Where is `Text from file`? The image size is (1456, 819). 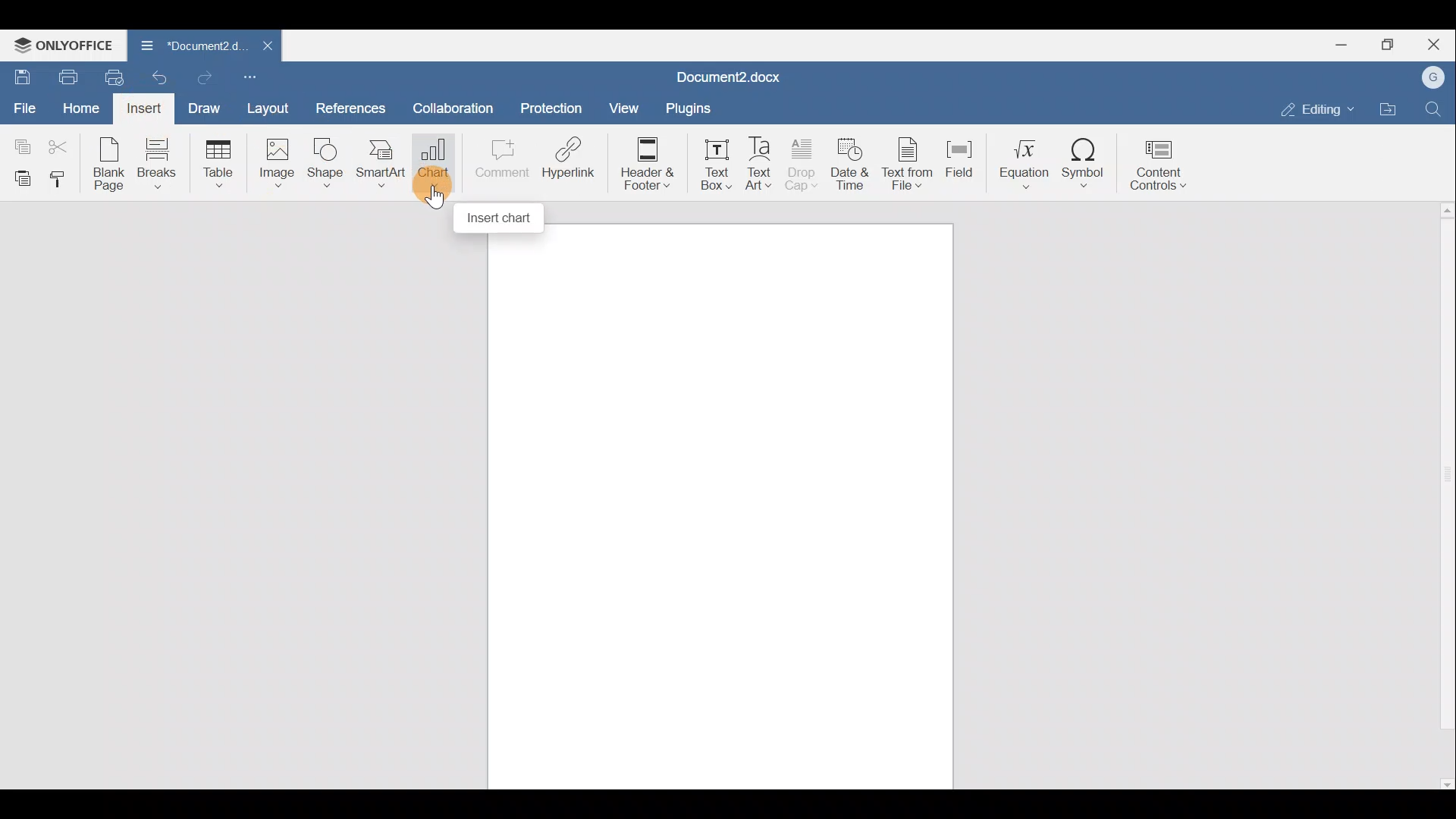 Text from file is located at coordinates (909, 161).